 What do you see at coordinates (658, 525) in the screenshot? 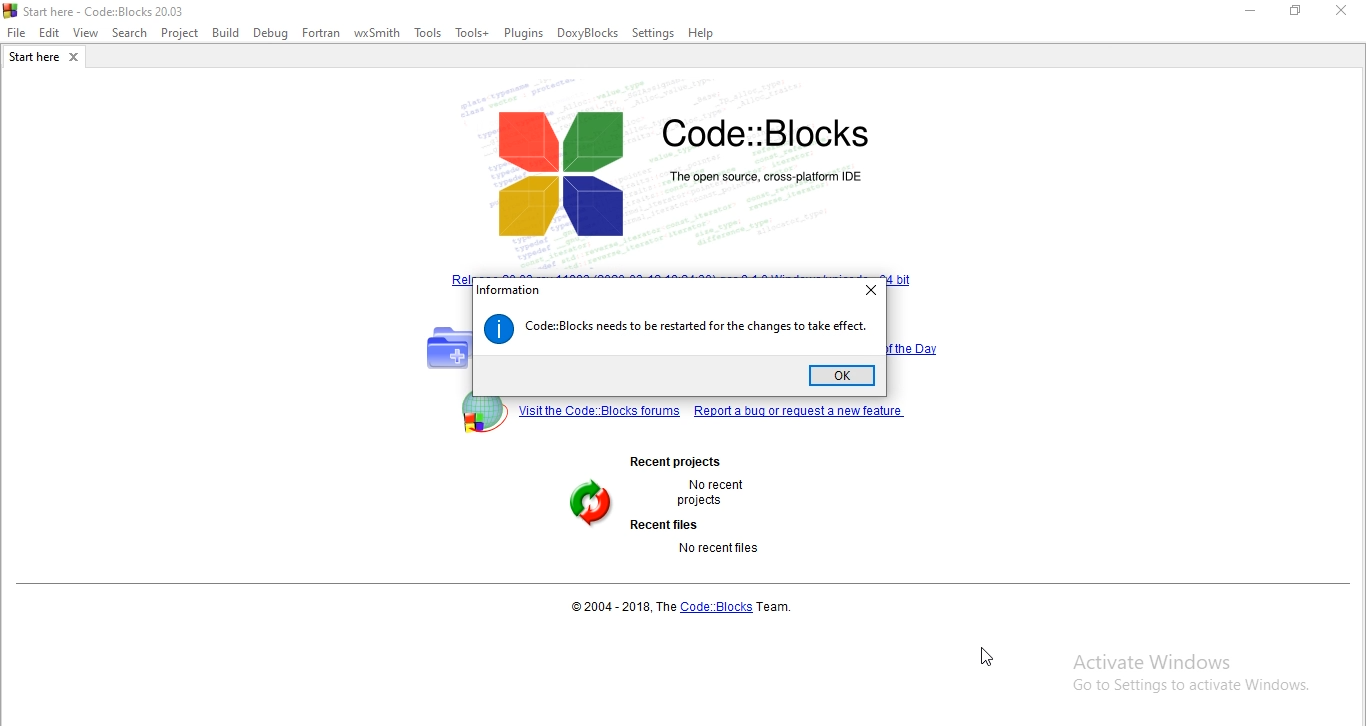
I see `Recent files` at bounding box center [658, 525].